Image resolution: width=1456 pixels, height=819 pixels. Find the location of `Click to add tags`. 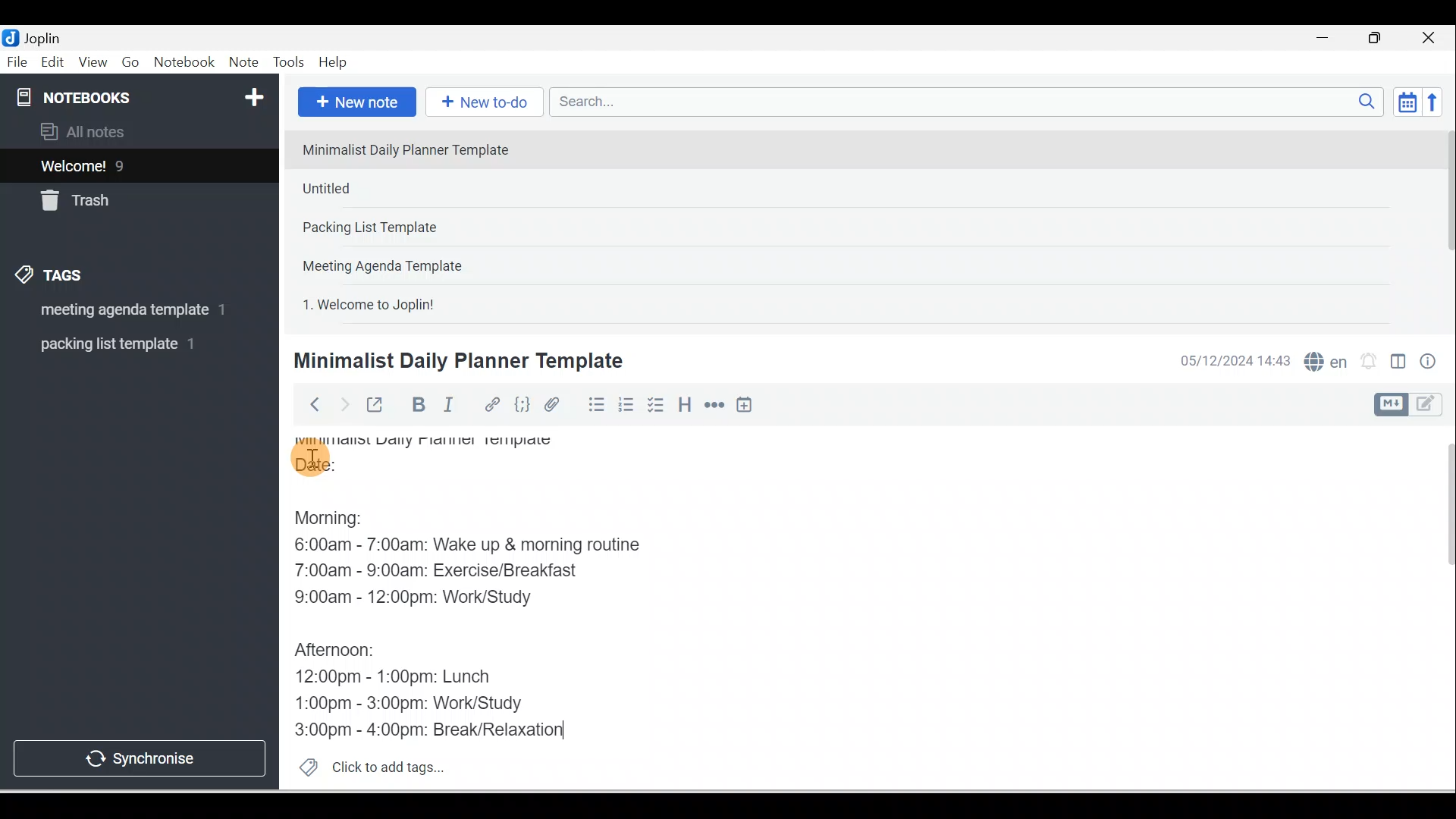

Click to add tags is located at coordinates (366, 765).